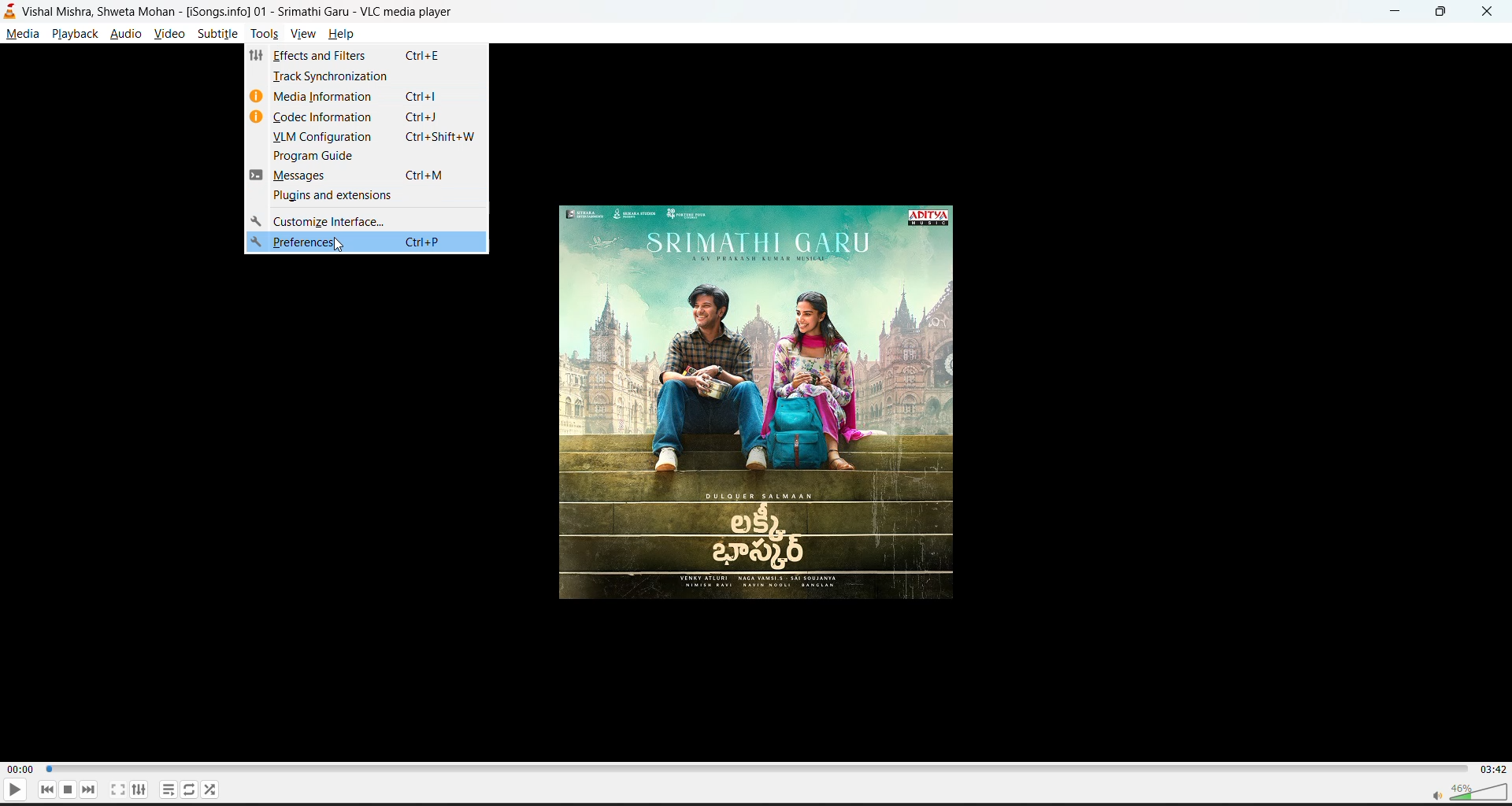 This screenshot has height=806, width=1512. What do you see at coordinates (261, 35) in the screenshot?
I see `tools` at bounding box center [261, 35].